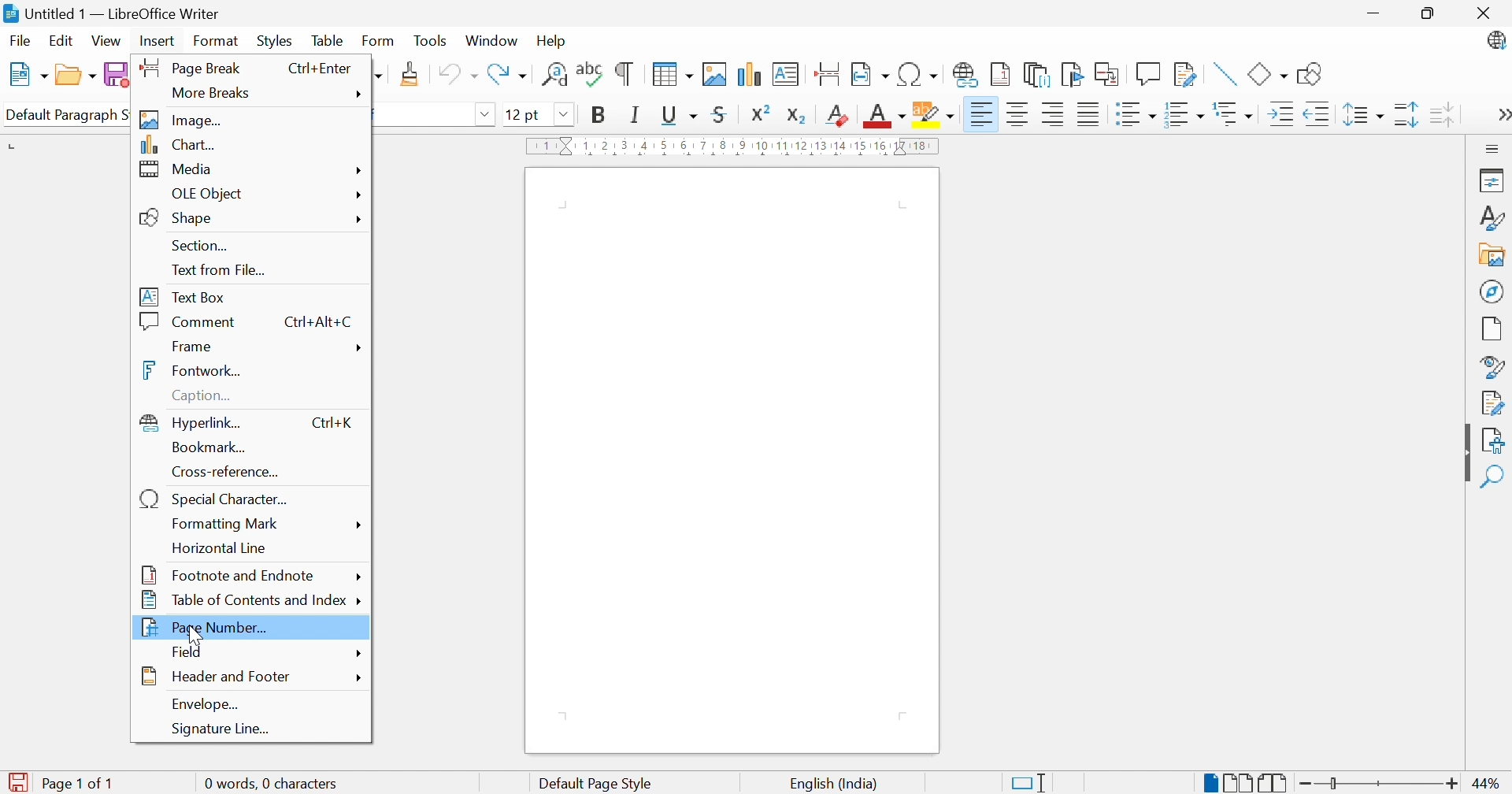  Describe the element at coordinates (719, 113) in the screenshot. I see `Strikethrough` at that location.